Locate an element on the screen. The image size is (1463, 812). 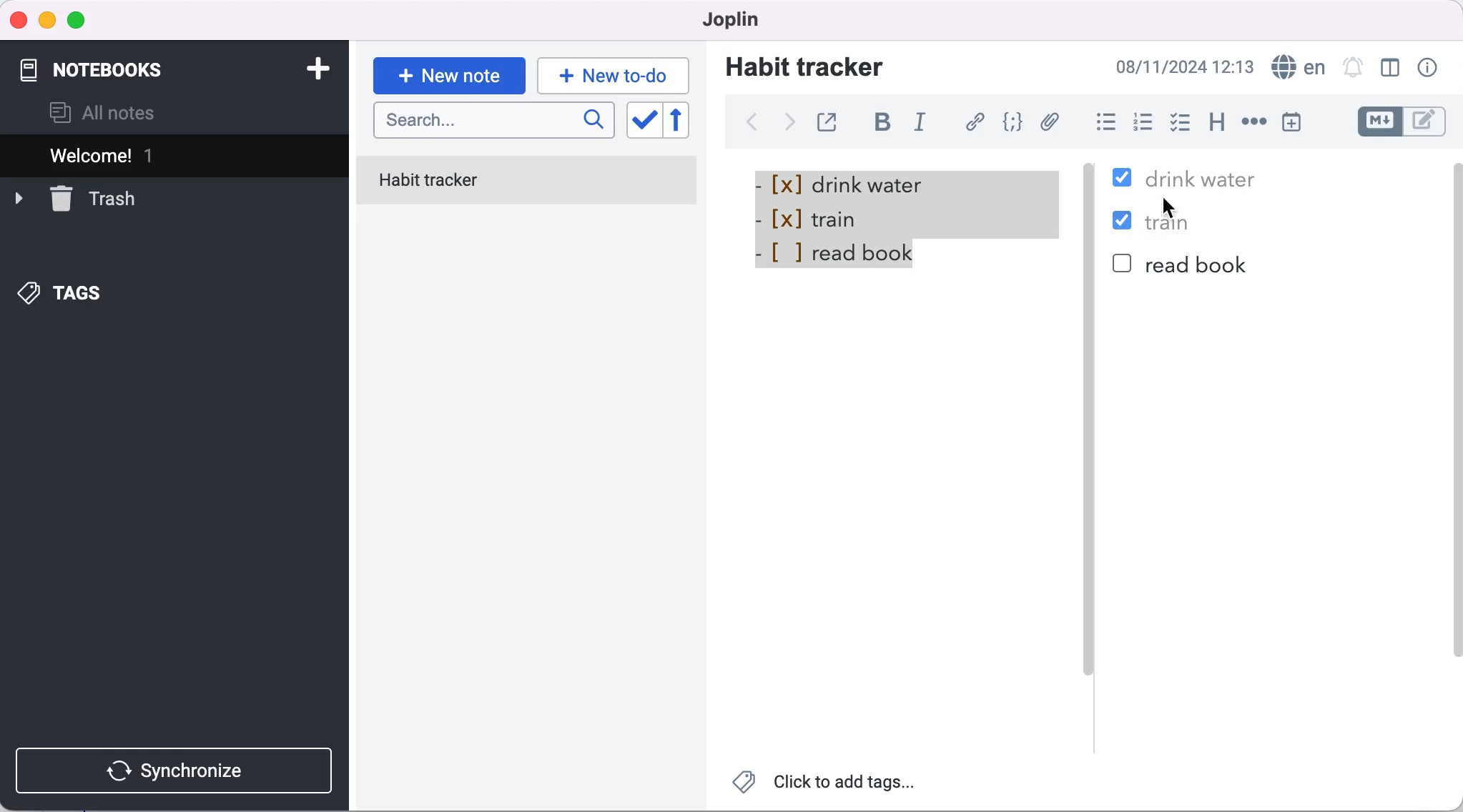
cursor is located at coordinates (1171, 207).